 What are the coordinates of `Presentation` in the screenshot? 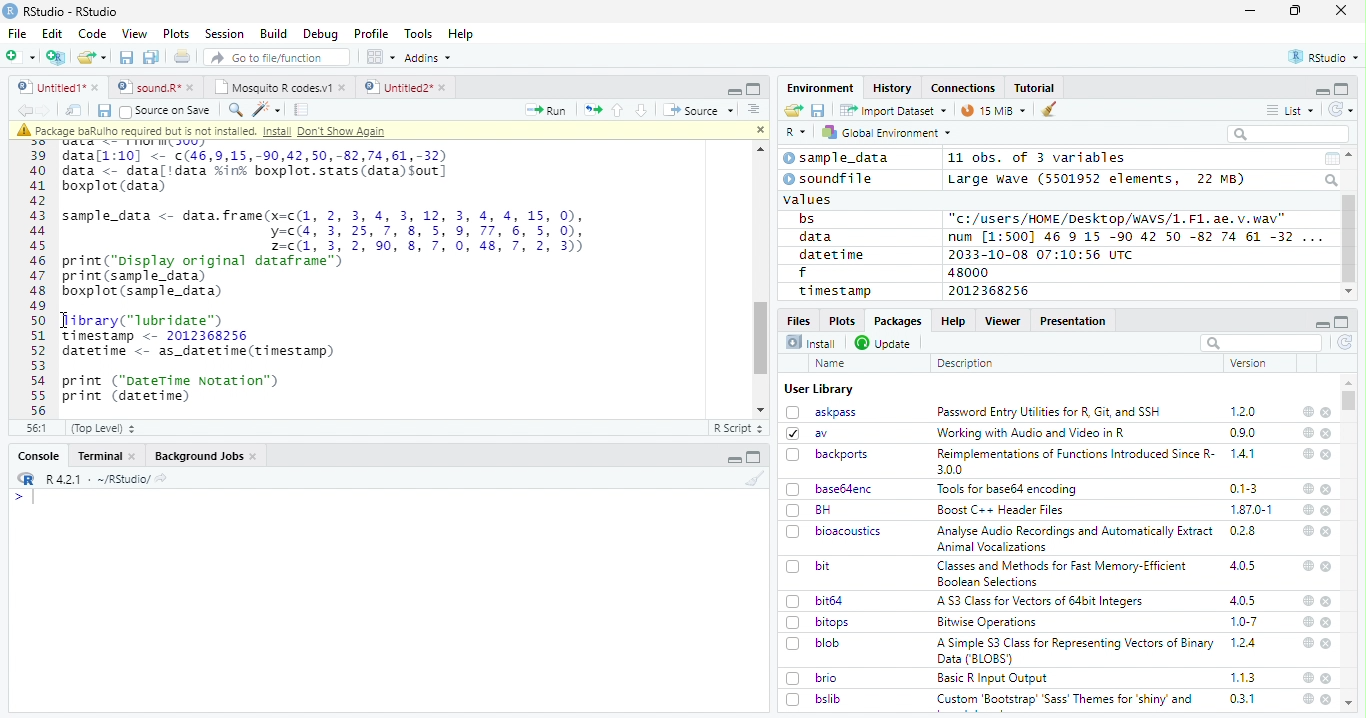 It's located at (1074, 321).